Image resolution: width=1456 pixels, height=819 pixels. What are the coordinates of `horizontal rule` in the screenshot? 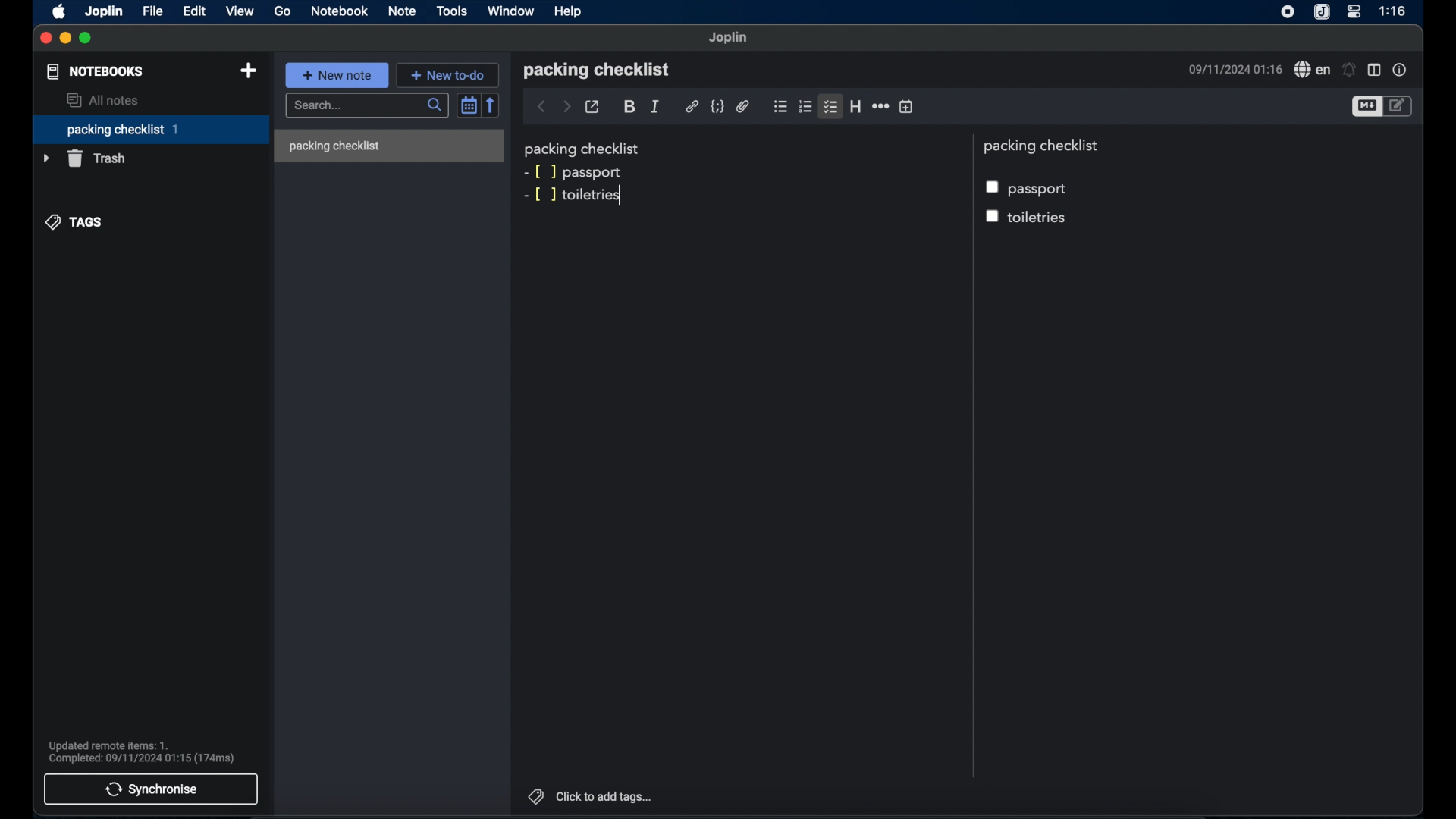 It's located at (880, 107).